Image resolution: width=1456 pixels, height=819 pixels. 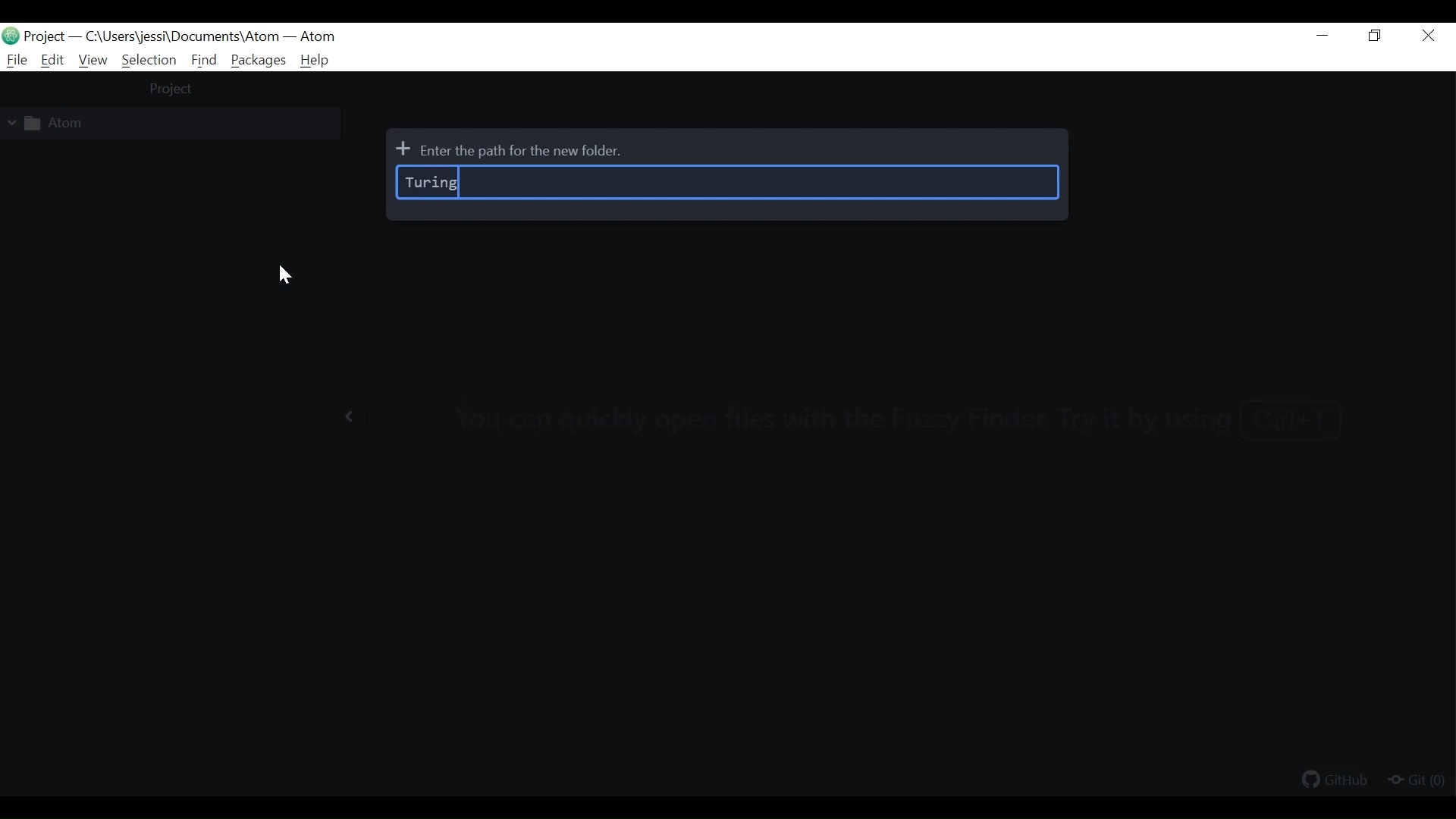 What do you see at coordinates (515, 150) in the screenshot?
I see `Enter the path for the new folder` at bounding box center [515, 150].